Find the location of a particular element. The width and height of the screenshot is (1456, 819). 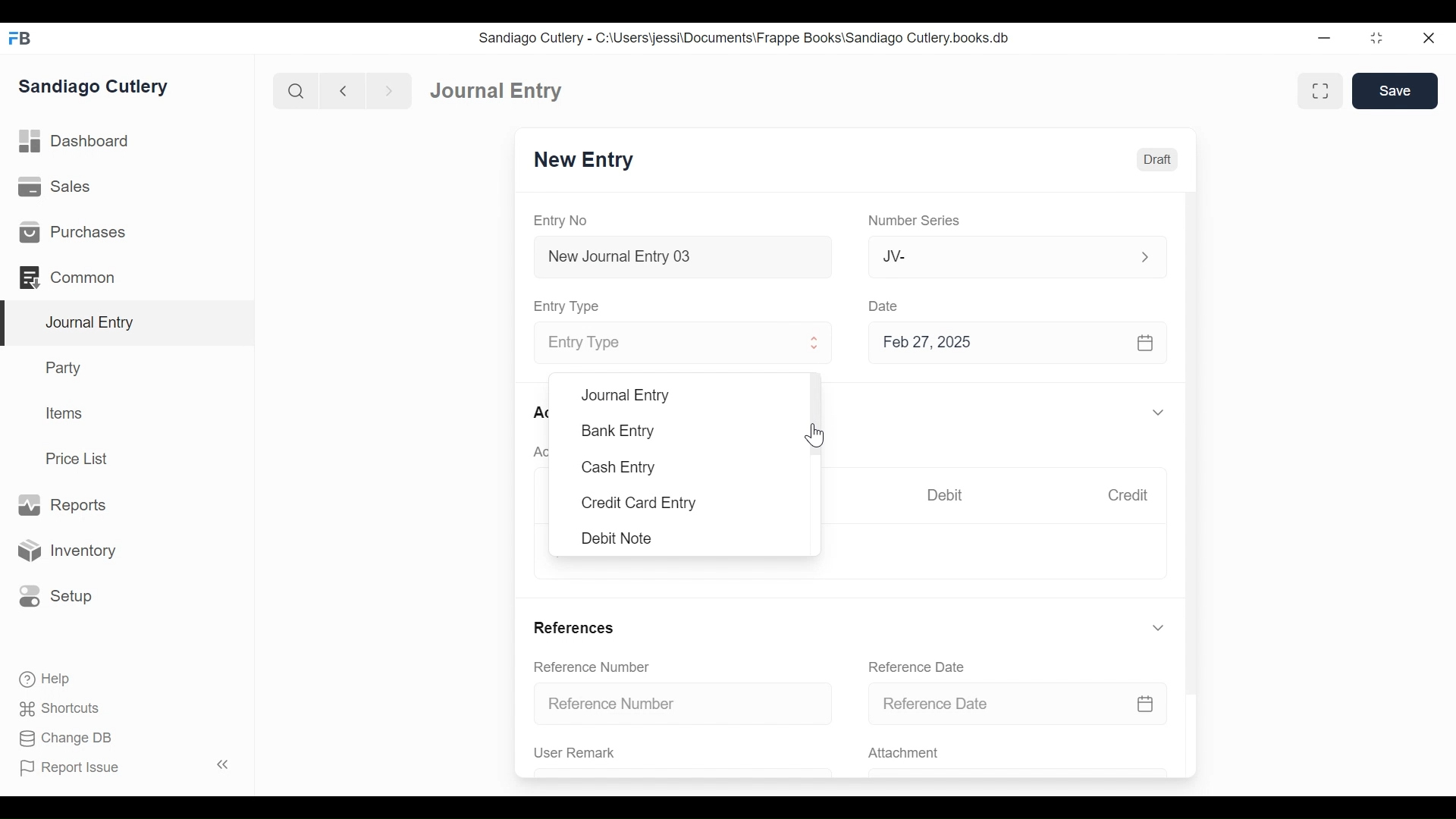

Feb 27, 2025 is located at coordinates (1015, 344).